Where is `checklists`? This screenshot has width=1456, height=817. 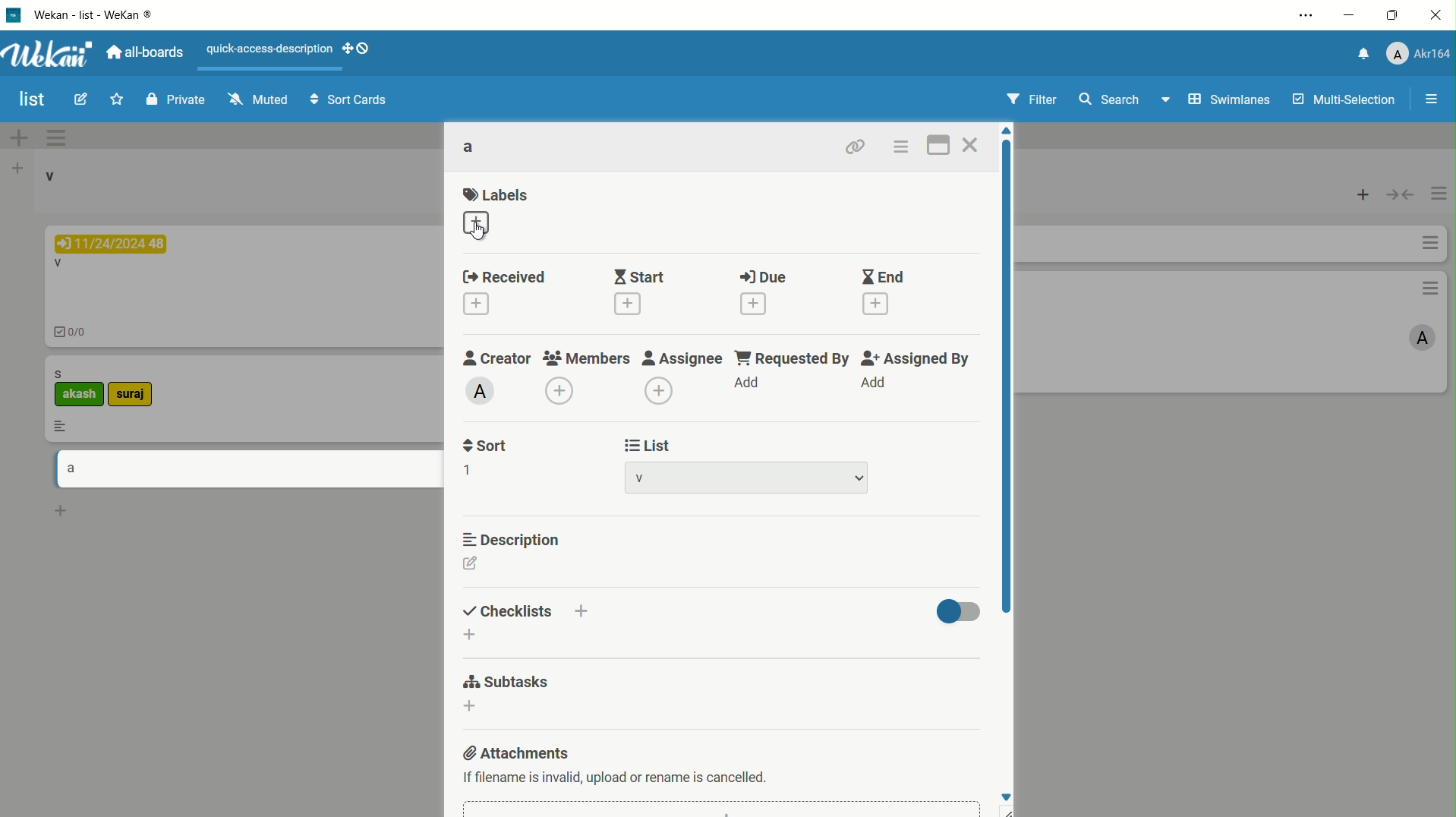 checklists is located at coordinates (506, 611).